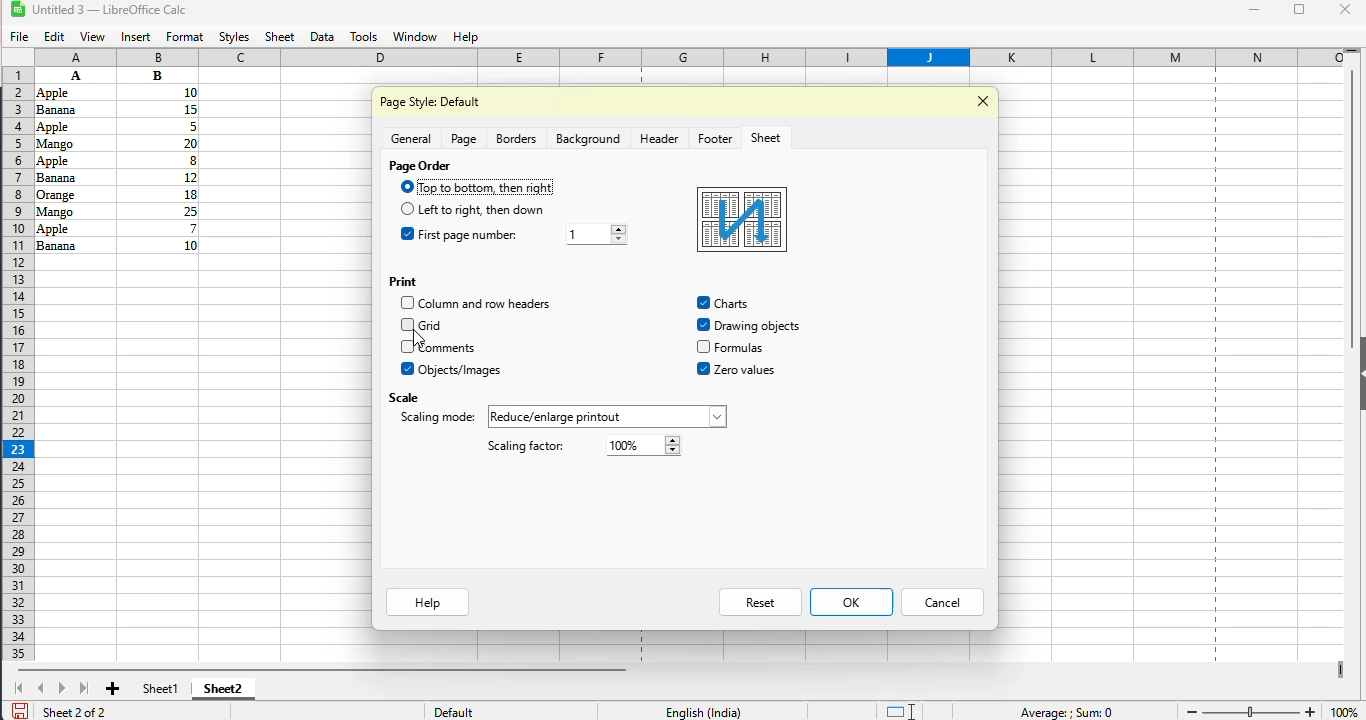 The image size is (1366, 720). What do you see at coordinates (1254, 10) in the screenshot?
I see `minimize` at bounding box center [1254, 10].